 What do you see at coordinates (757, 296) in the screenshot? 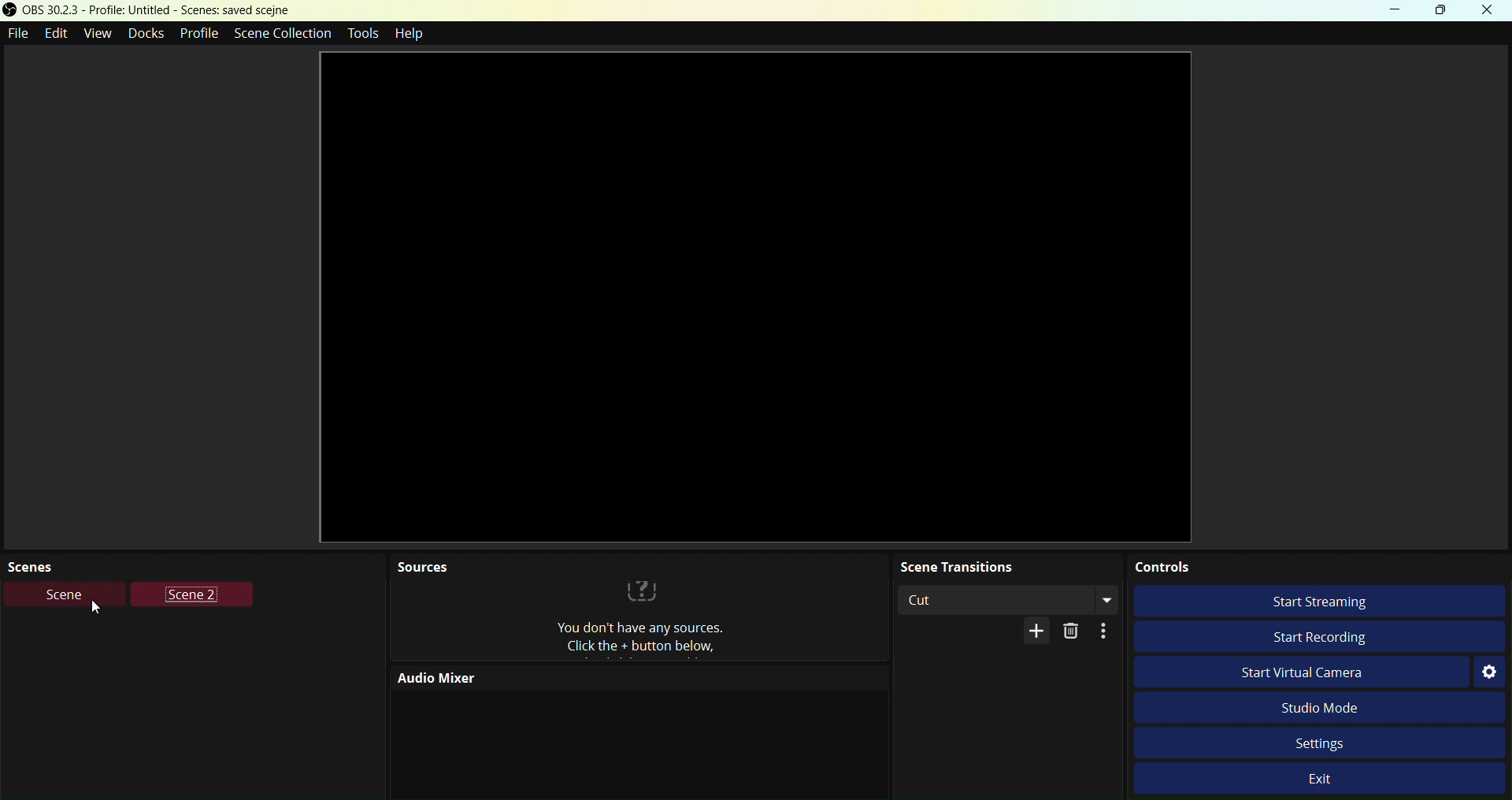
I see `Video preview` at bounding box center [757, 296].